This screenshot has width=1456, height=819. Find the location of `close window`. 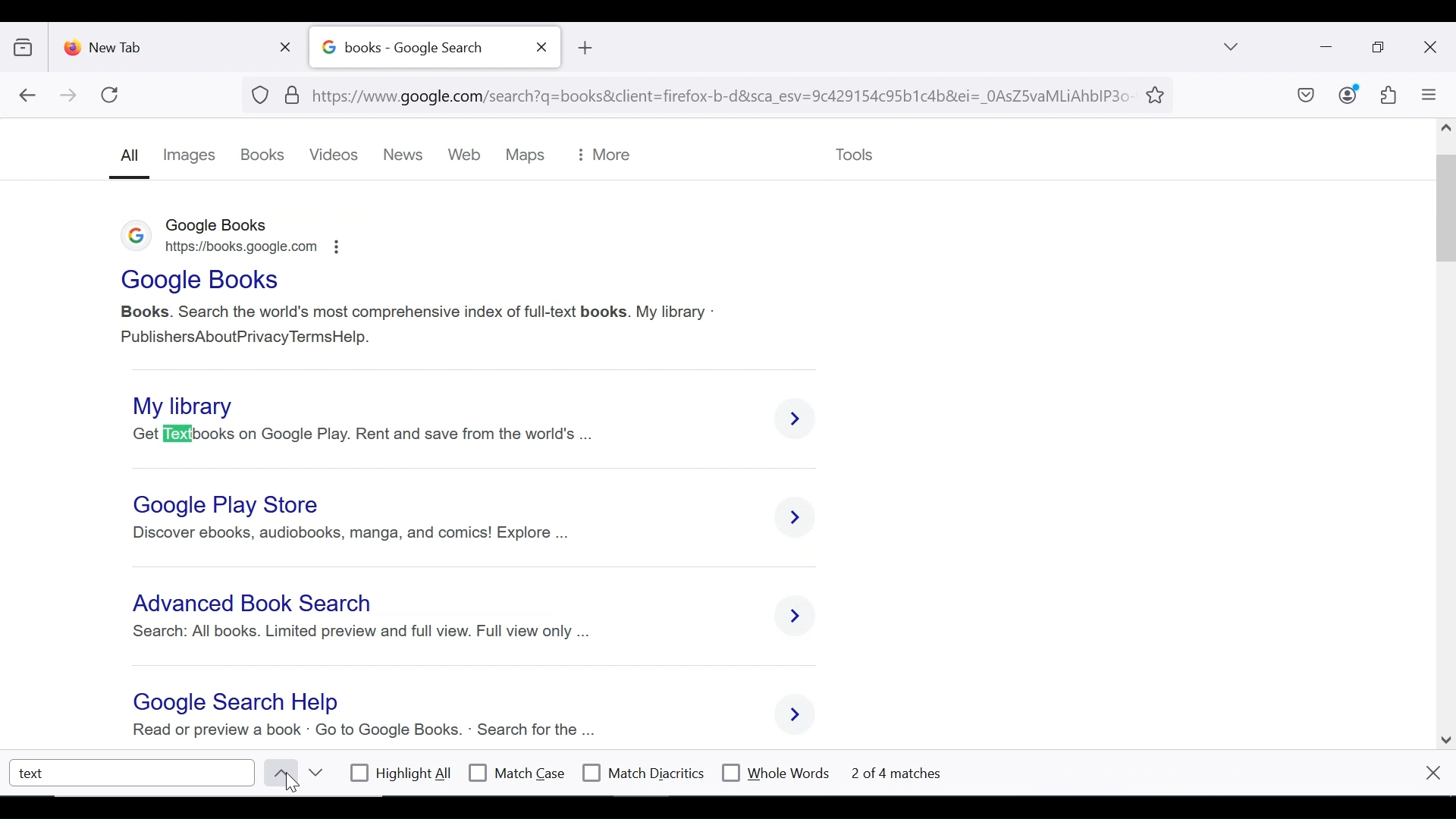

close window is located at coordinates (1431, 48).